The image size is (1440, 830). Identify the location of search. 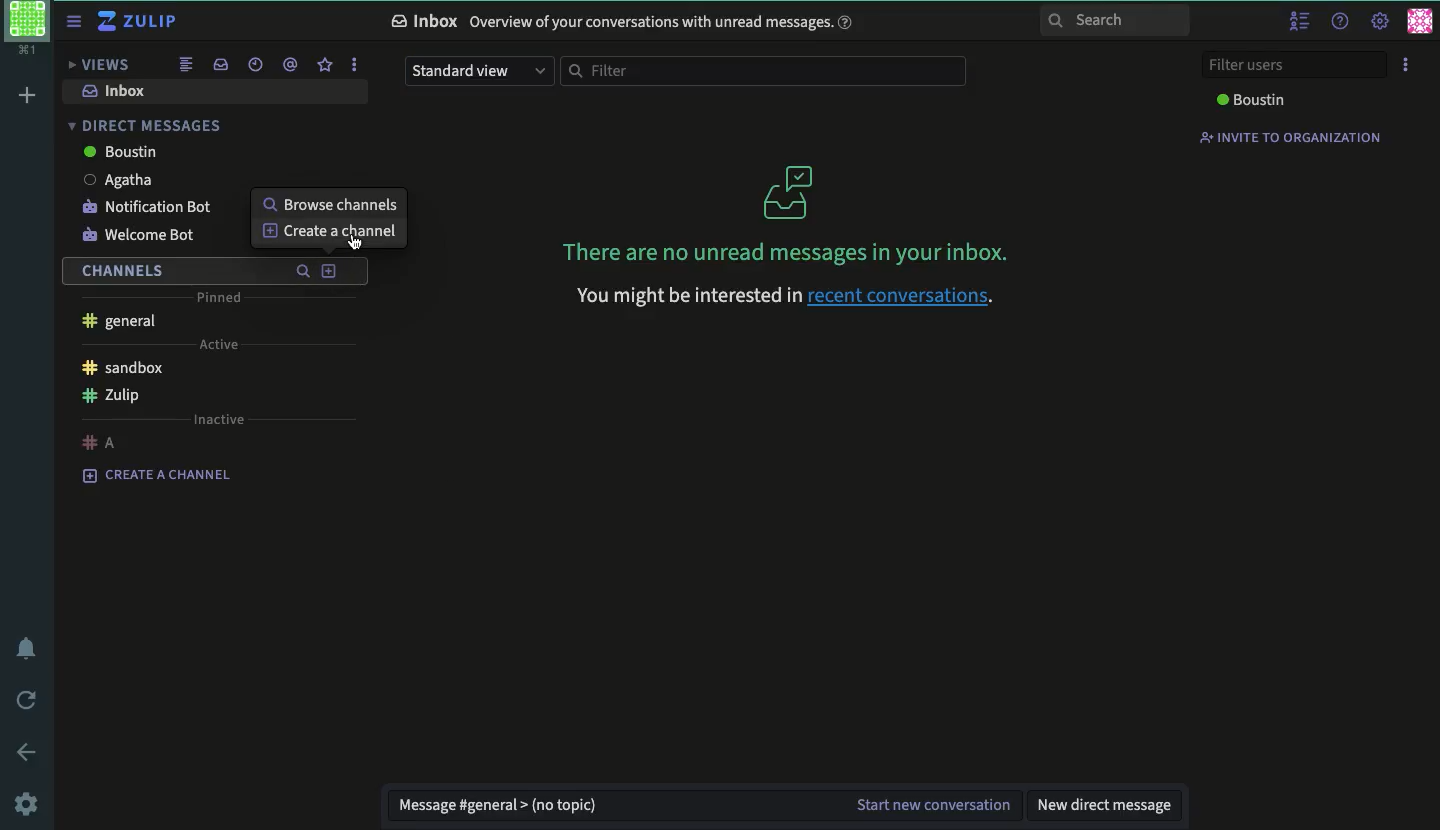
(296, 273).